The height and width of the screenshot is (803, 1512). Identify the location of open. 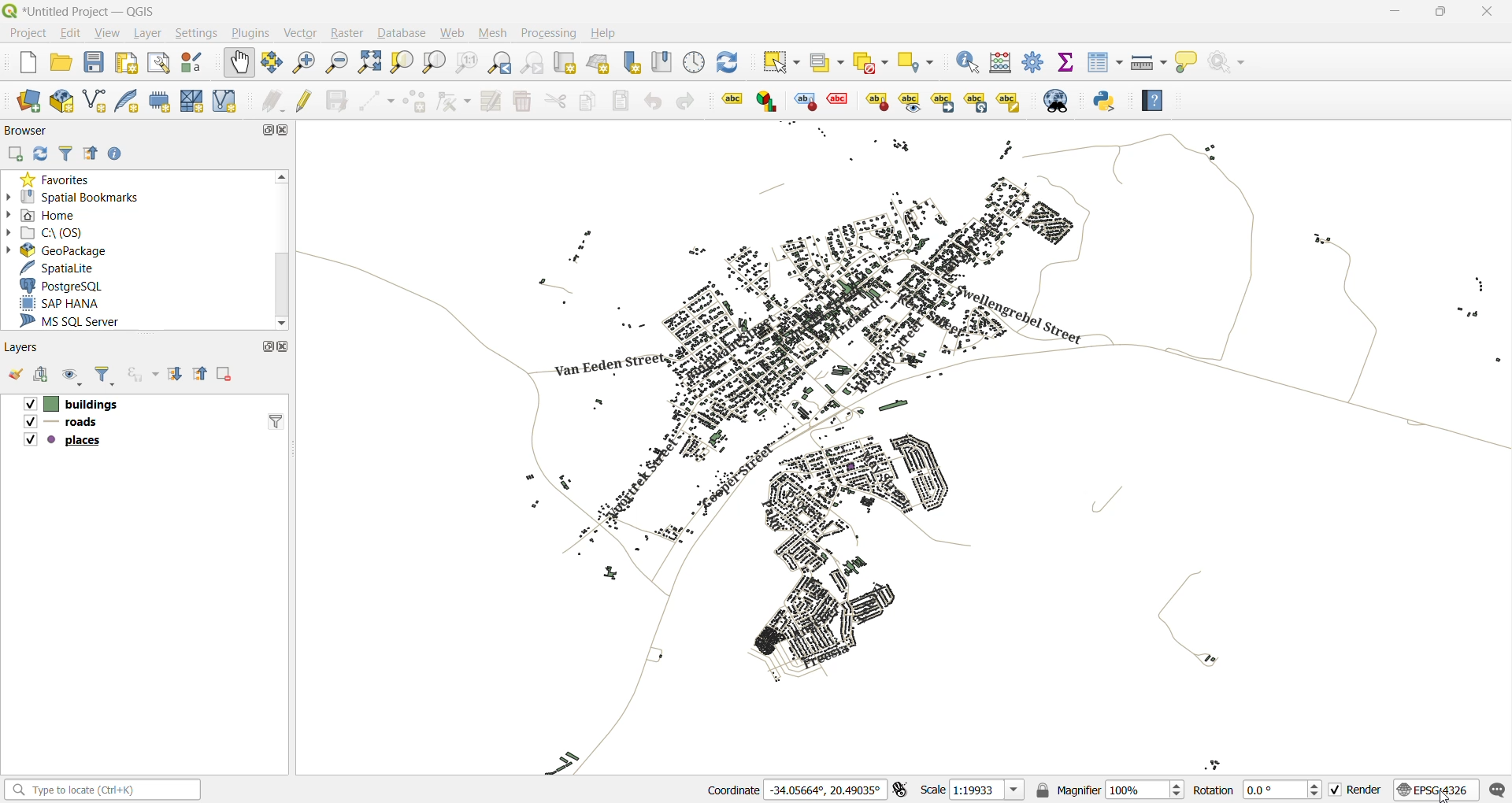
(63, 61).